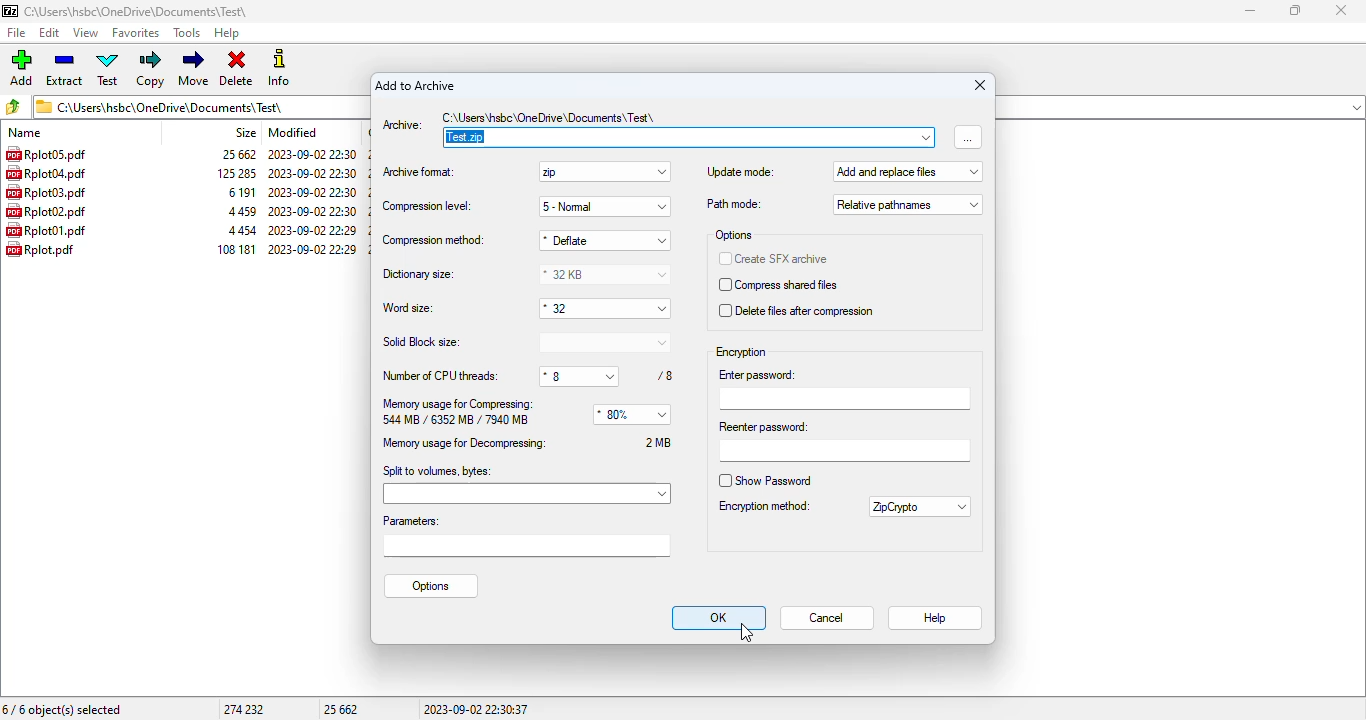 The height and width of the screenshot is (720, 1366). Describe the element at coordinates (312, 192) in the screenshot. I see `modified date & time` at that location.